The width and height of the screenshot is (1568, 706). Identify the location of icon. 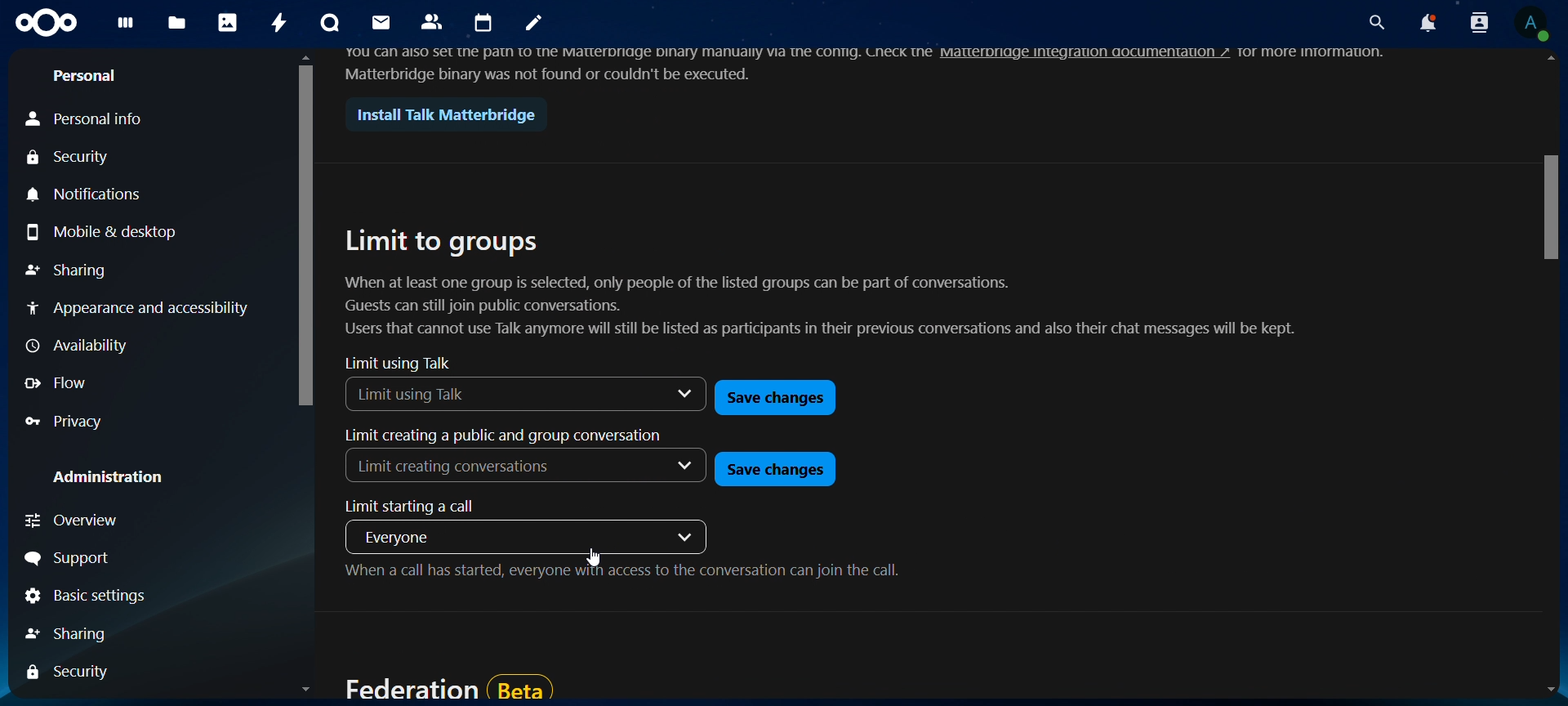
(47, 24).